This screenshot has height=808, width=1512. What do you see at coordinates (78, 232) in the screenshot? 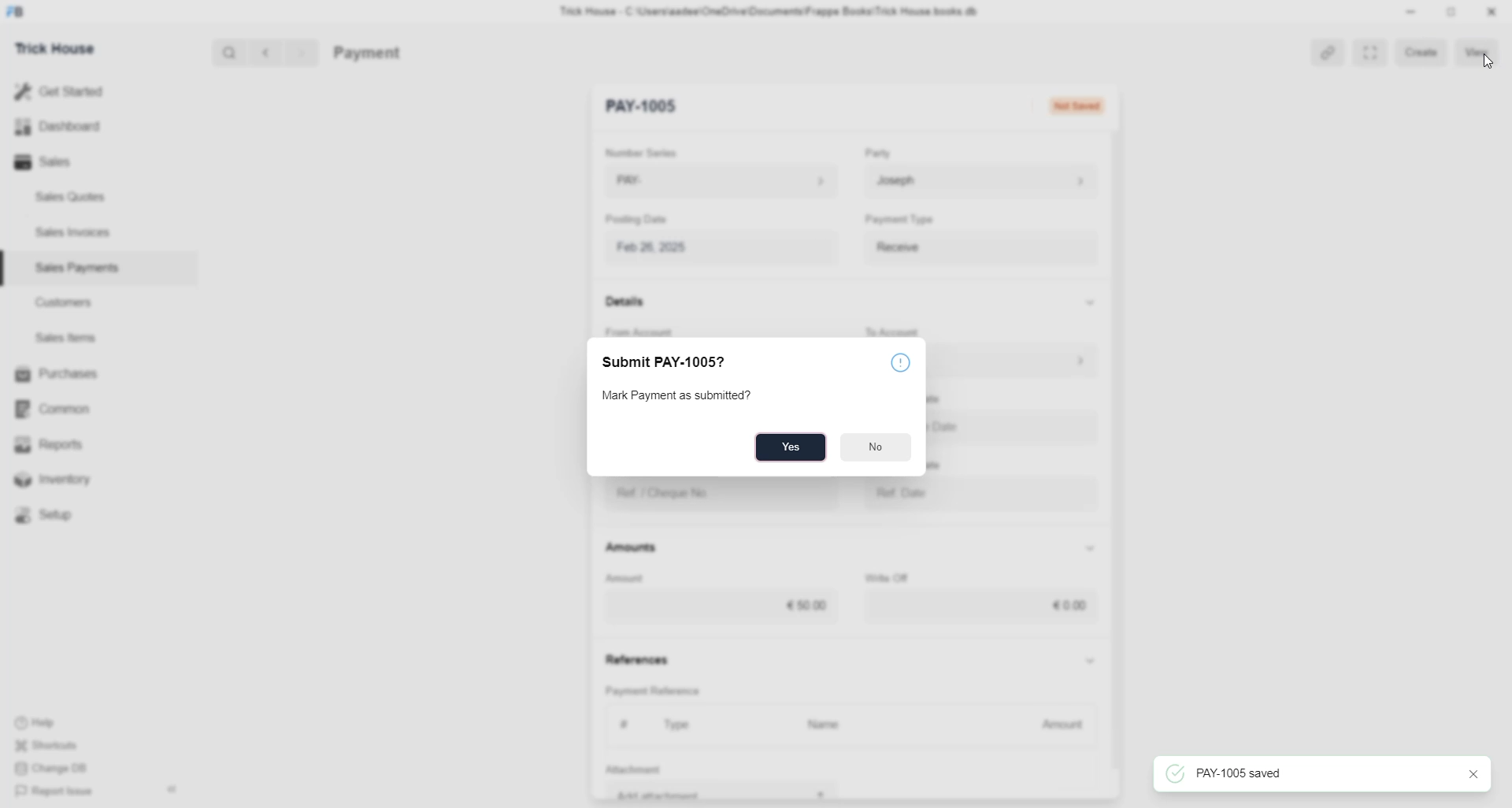
I see `Sales Invoices` at bounding box center [78, 232].